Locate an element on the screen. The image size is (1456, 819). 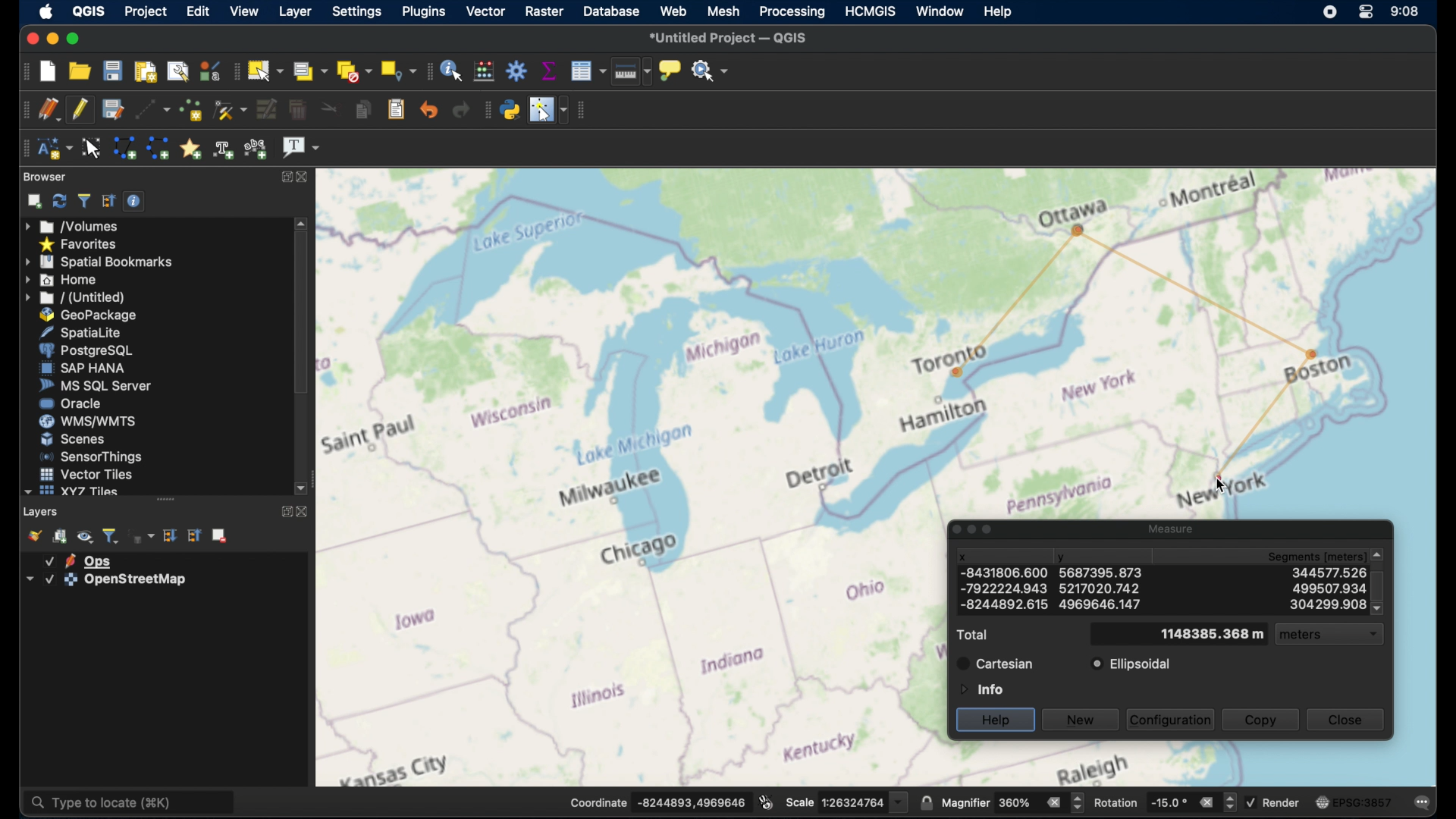
y is located at coordinates (1098, 604).